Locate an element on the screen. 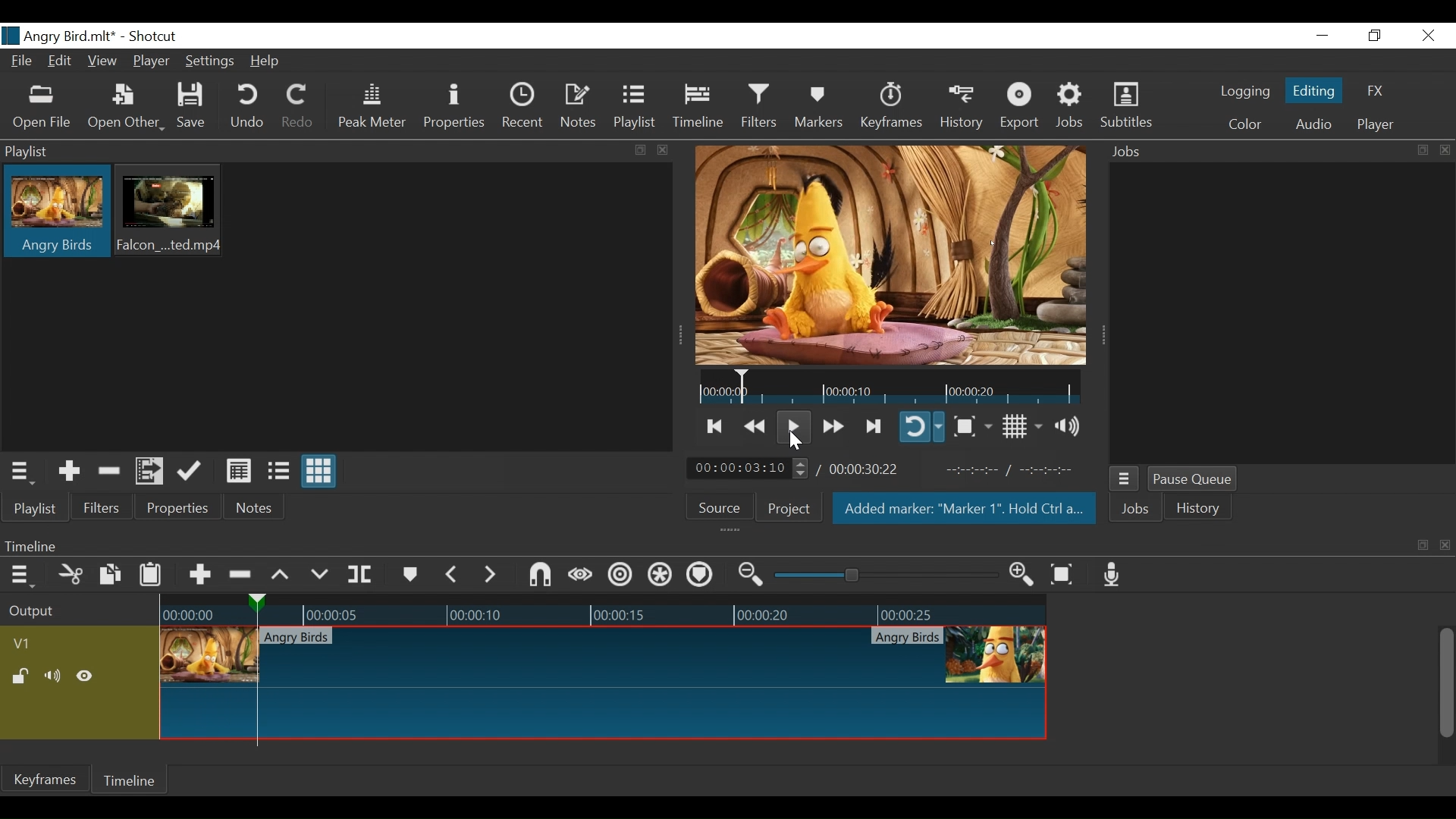 This screenshot has height=819, width=1456. Colr is located at coordinates (1244, 124).